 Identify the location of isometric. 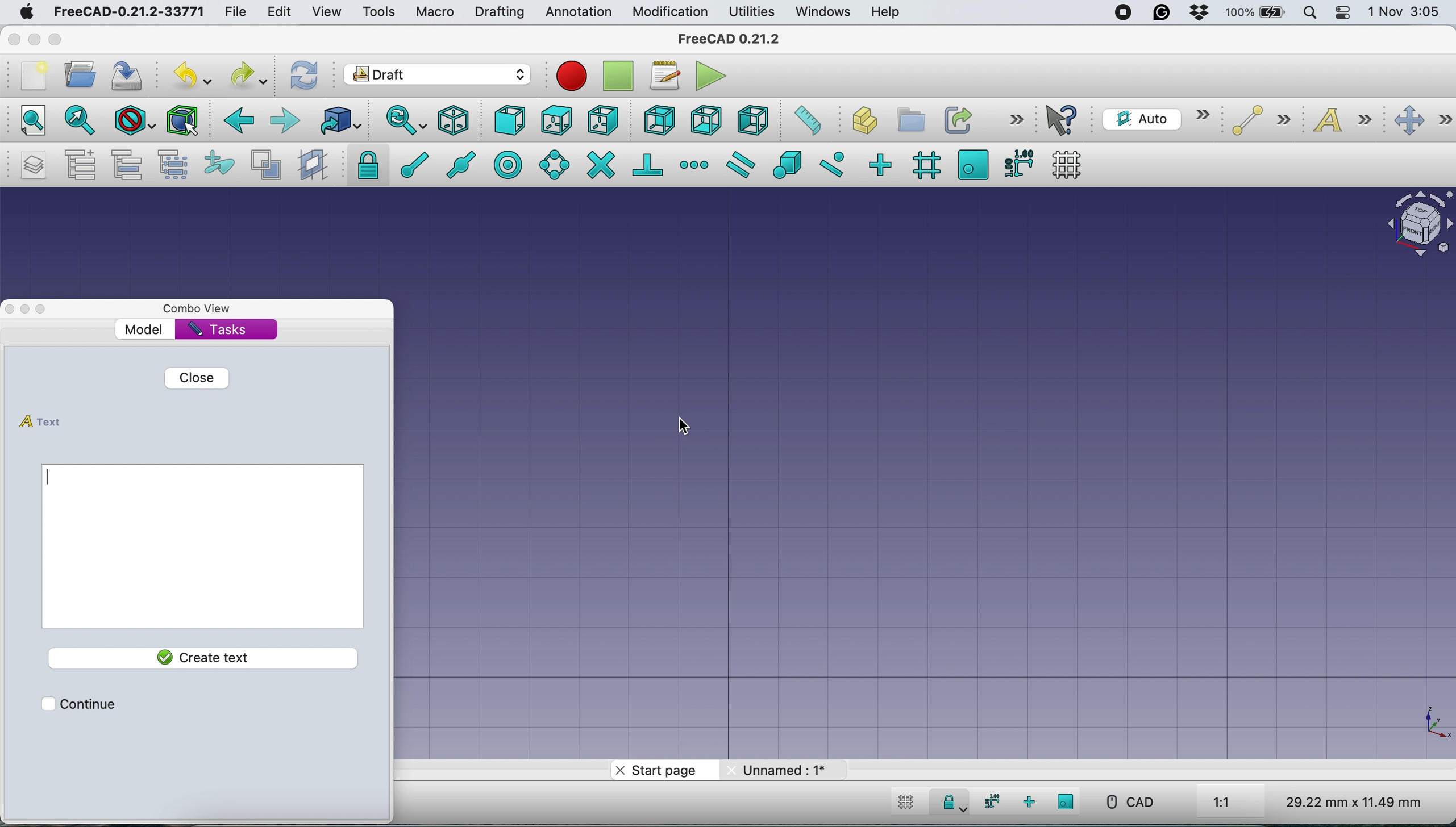
(454, 120).